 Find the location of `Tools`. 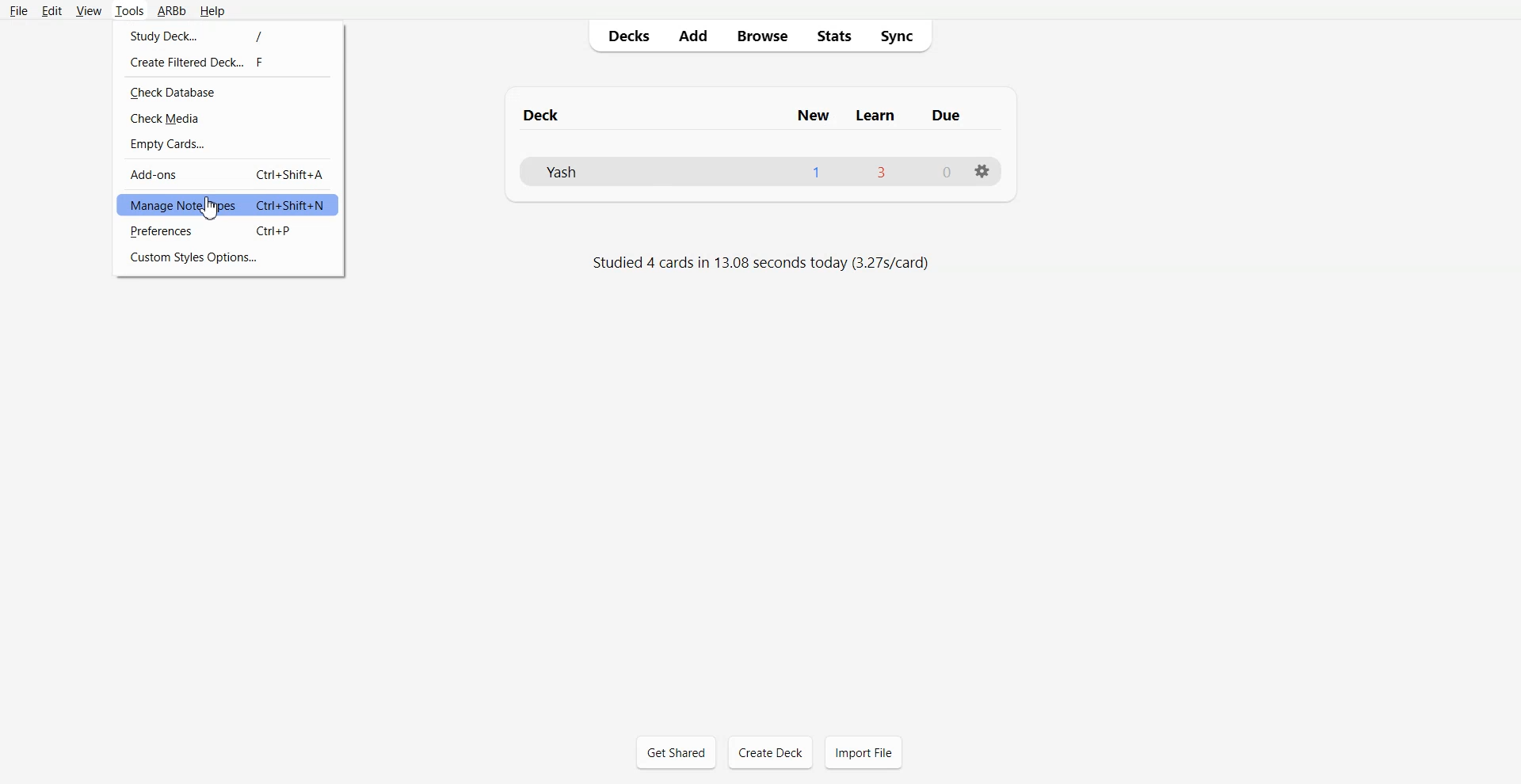

Tools is located at coordinates (129, 11).